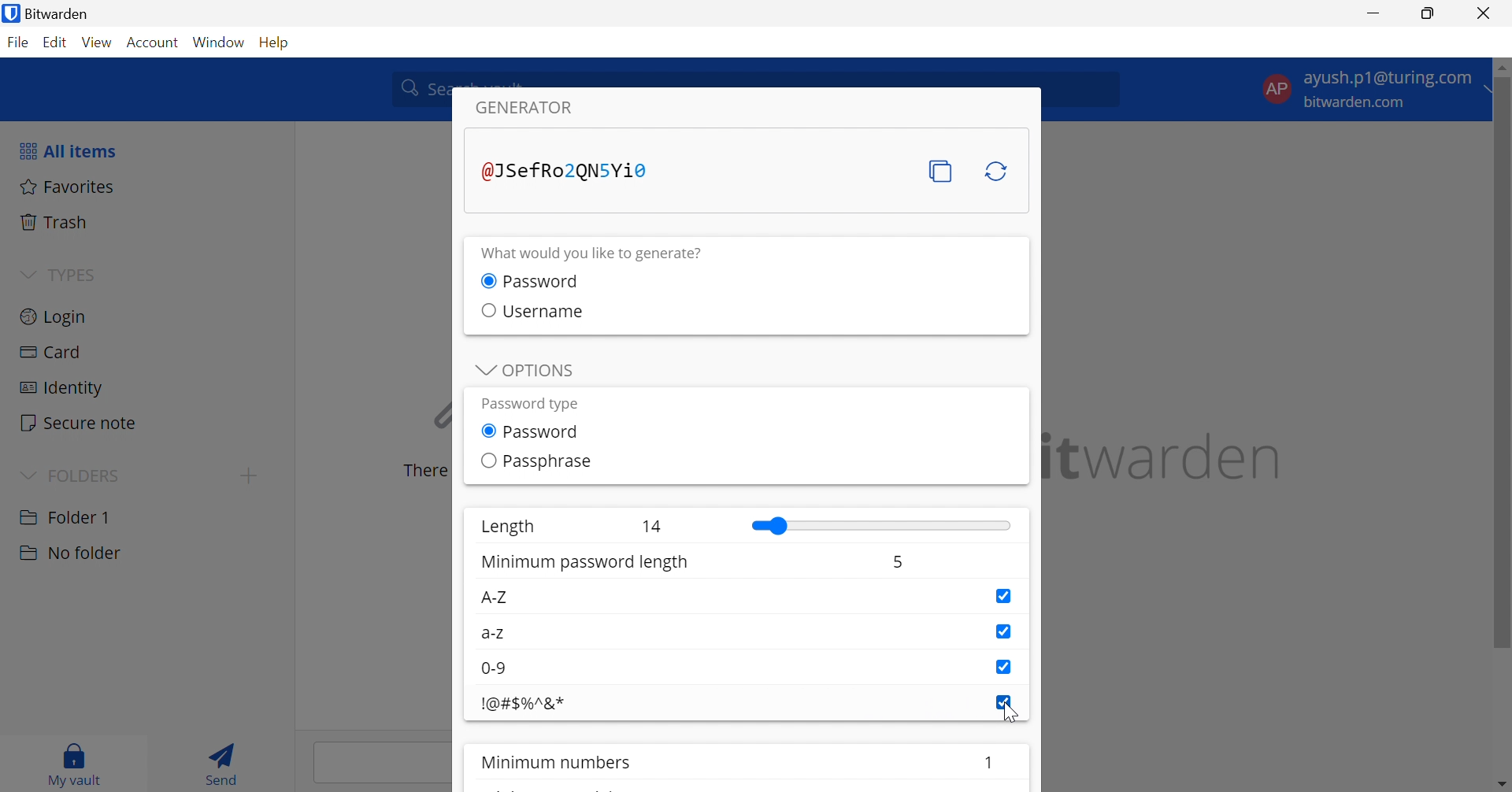 Image resolution: width=1512 pixels, height=792 pixels. Describe the element at coordinates (54, 319) in the screenshot. I see `Login` at that location.